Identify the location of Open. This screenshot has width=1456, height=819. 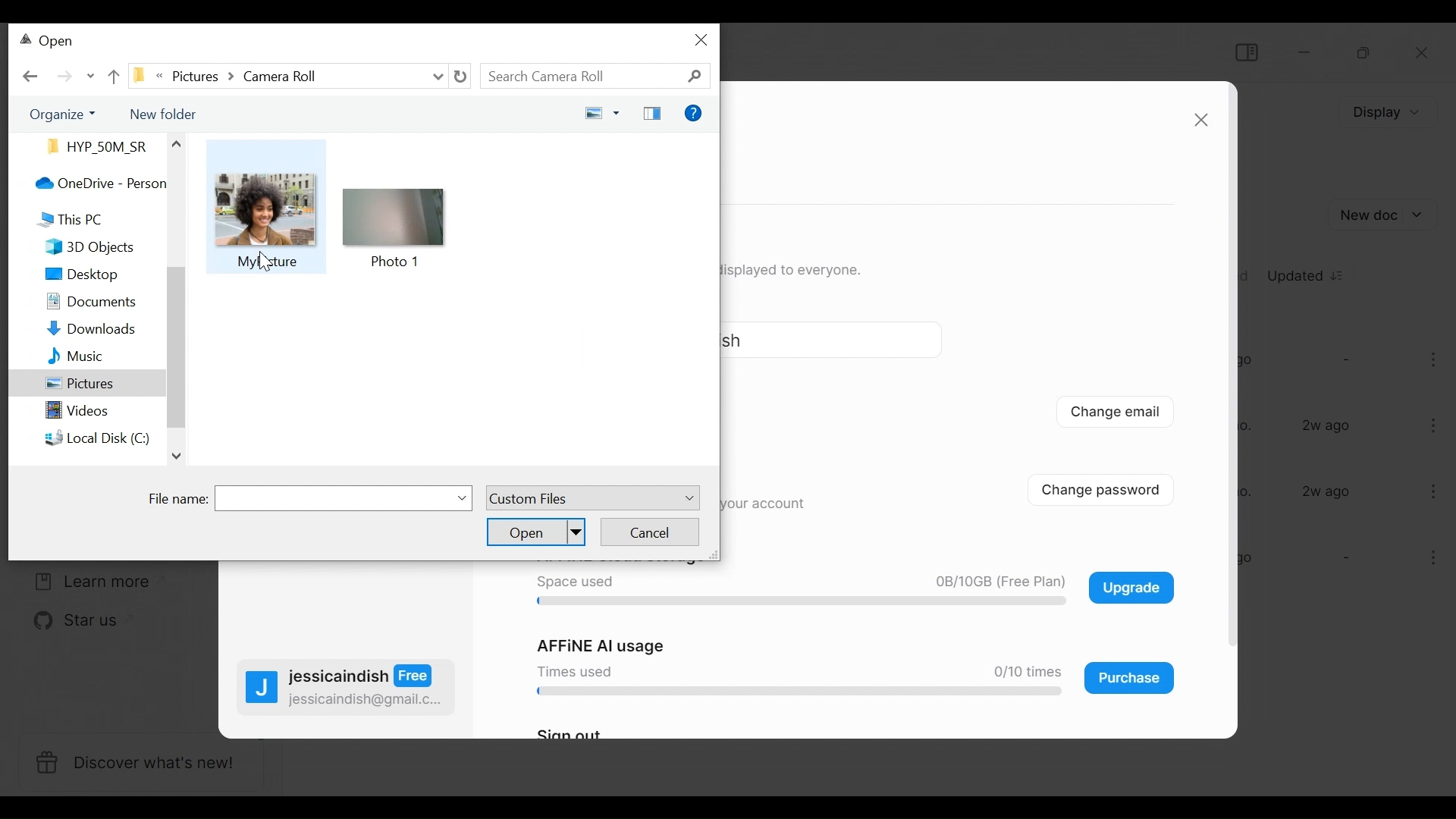
(49, 42).